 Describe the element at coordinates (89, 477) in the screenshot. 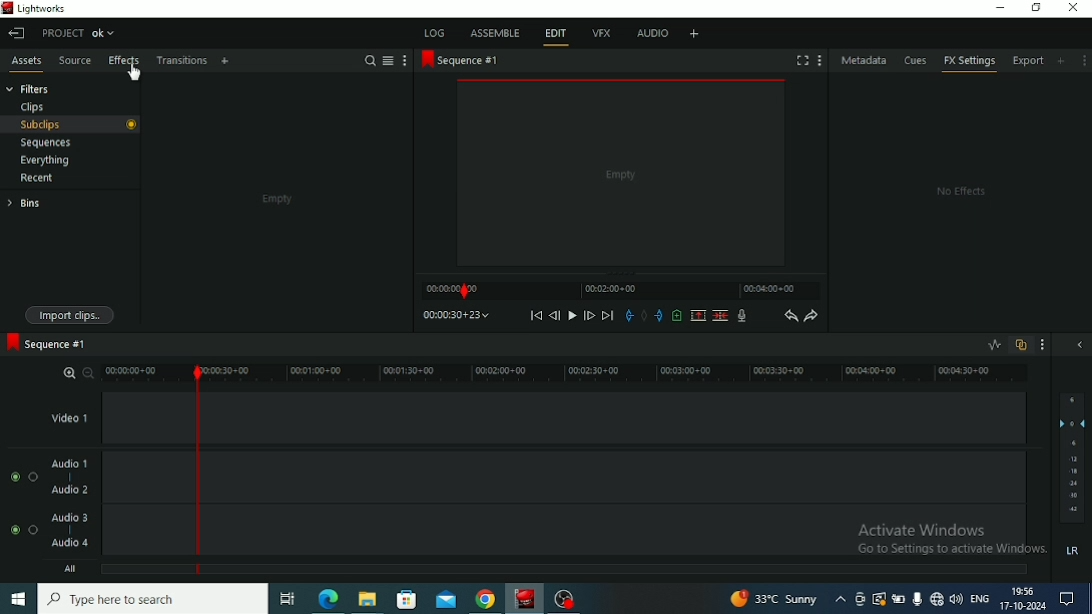

I see `Audio 1  and 2` at that location.